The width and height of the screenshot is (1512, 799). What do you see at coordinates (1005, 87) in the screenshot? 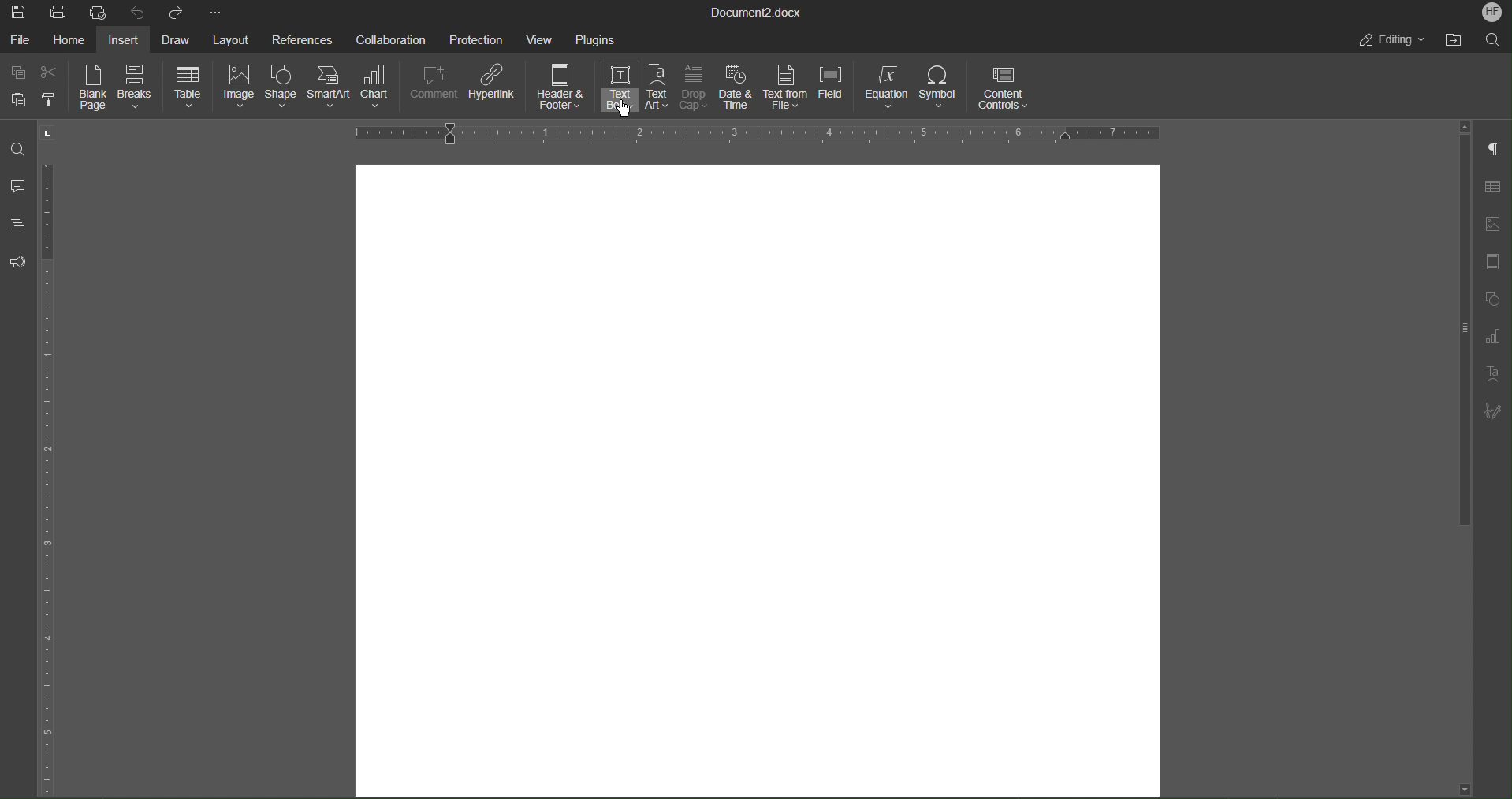
I see `Content Controls` at bounding box center [1005, 87].